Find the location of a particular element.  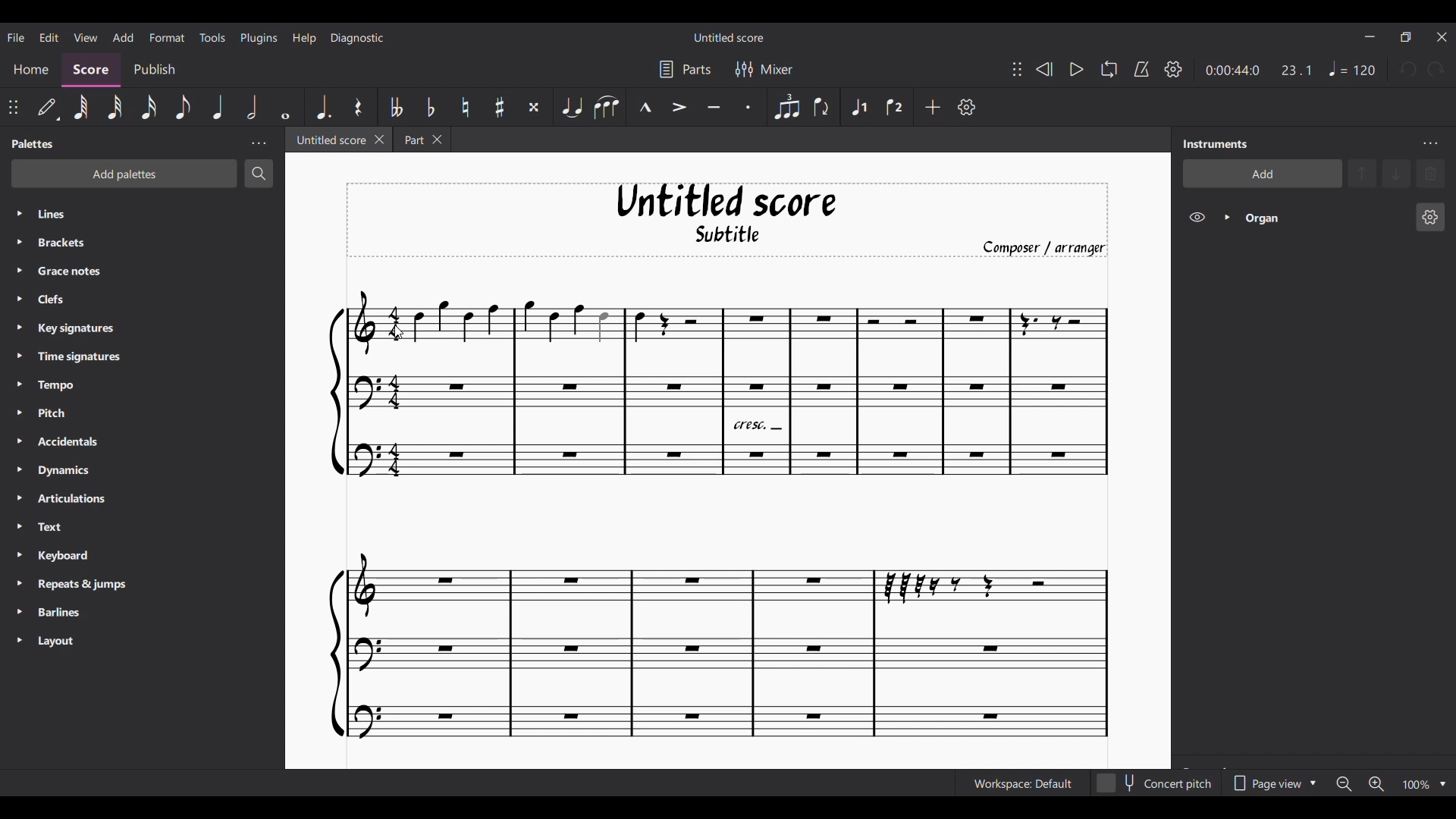

Instruments panel settings is located at coordinates (1430, 144).